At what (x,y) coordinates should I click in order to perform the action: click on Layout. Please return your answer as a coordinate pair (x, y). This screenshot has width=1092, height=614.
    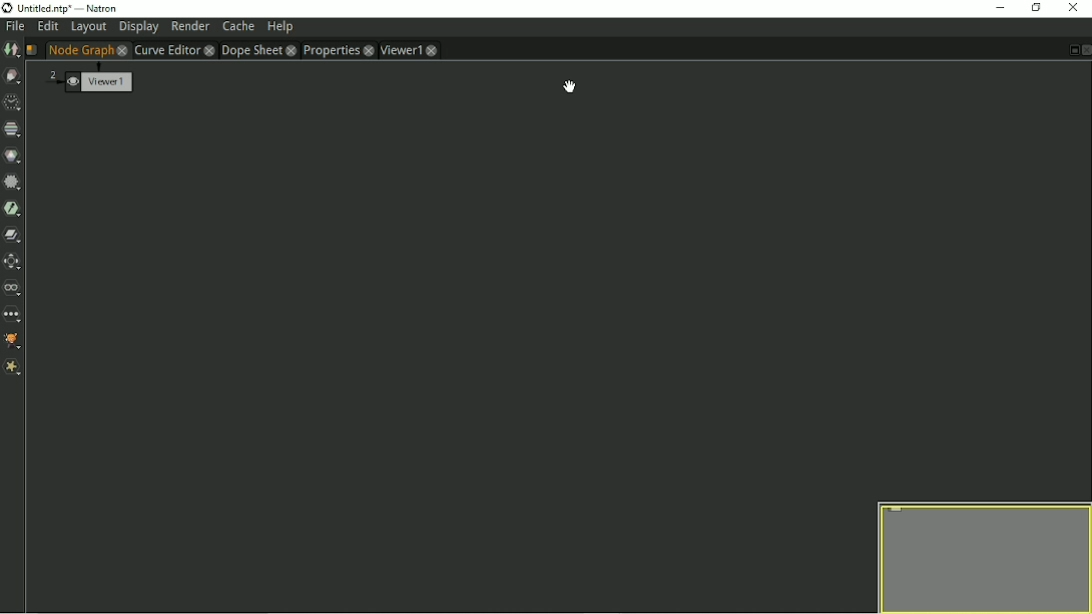
    Looking at the image, I should click on (88, 27).